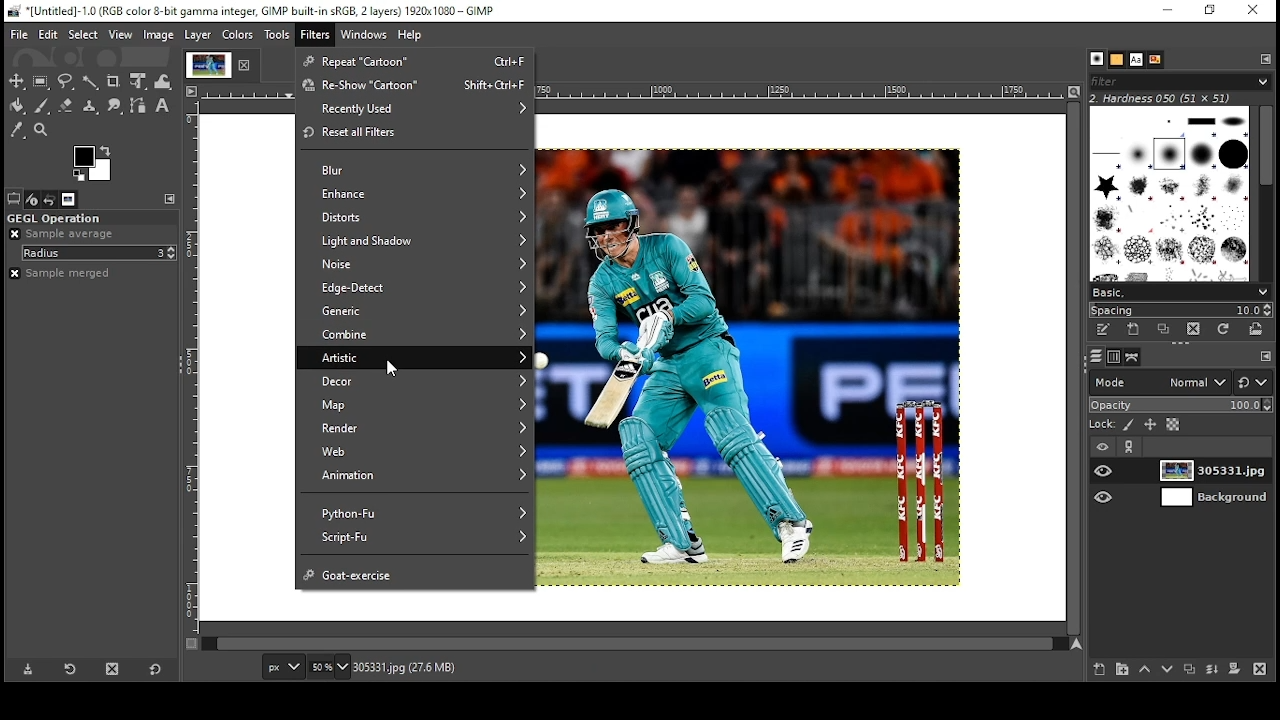  Describe the element at coordinates (163, 79) in the screenshot. I see `warp transform` at that location.